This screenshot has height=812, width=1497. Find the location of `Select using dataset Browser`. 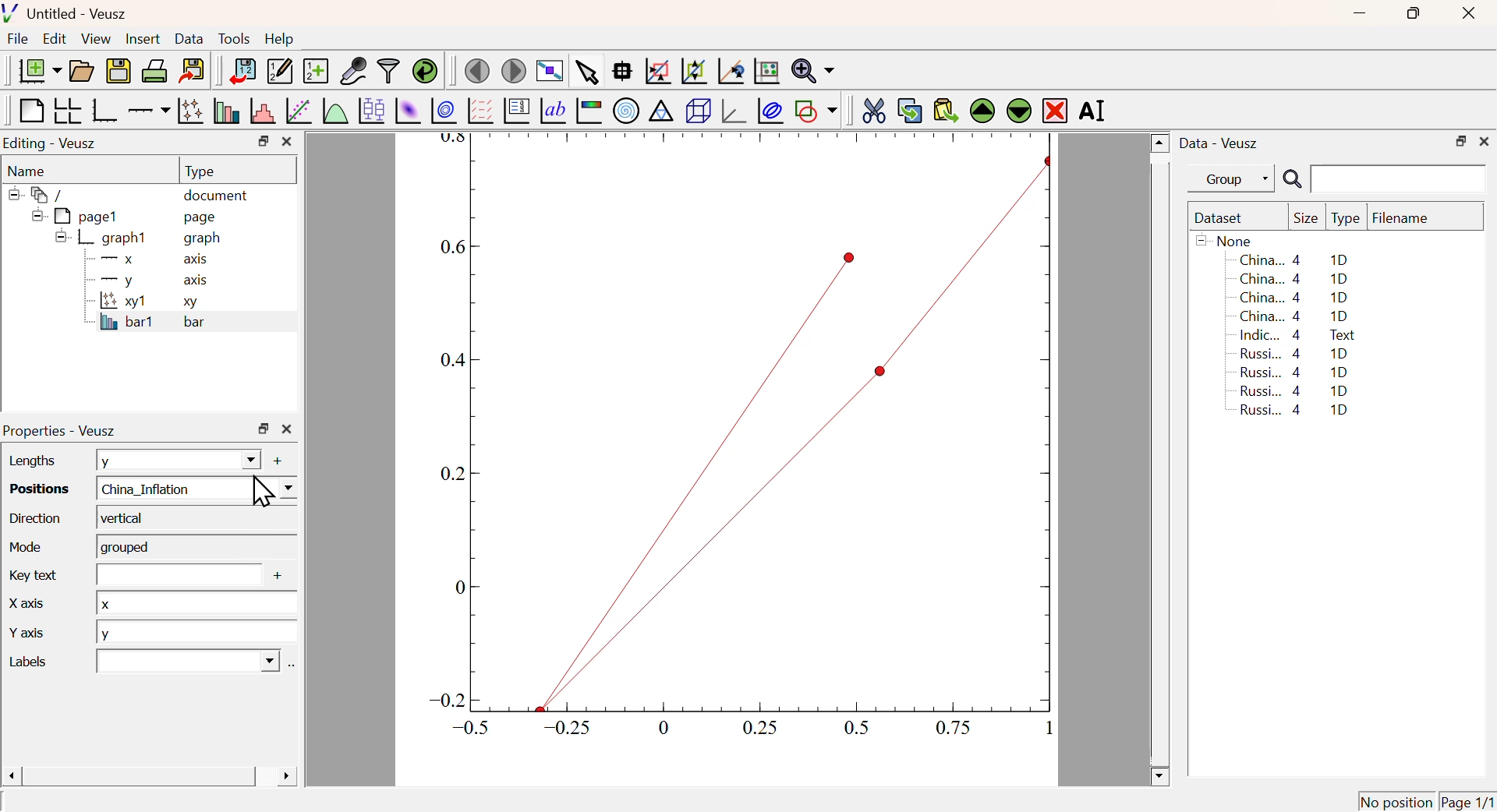

Select using dataset Browser is located at coordinates (285, 667).